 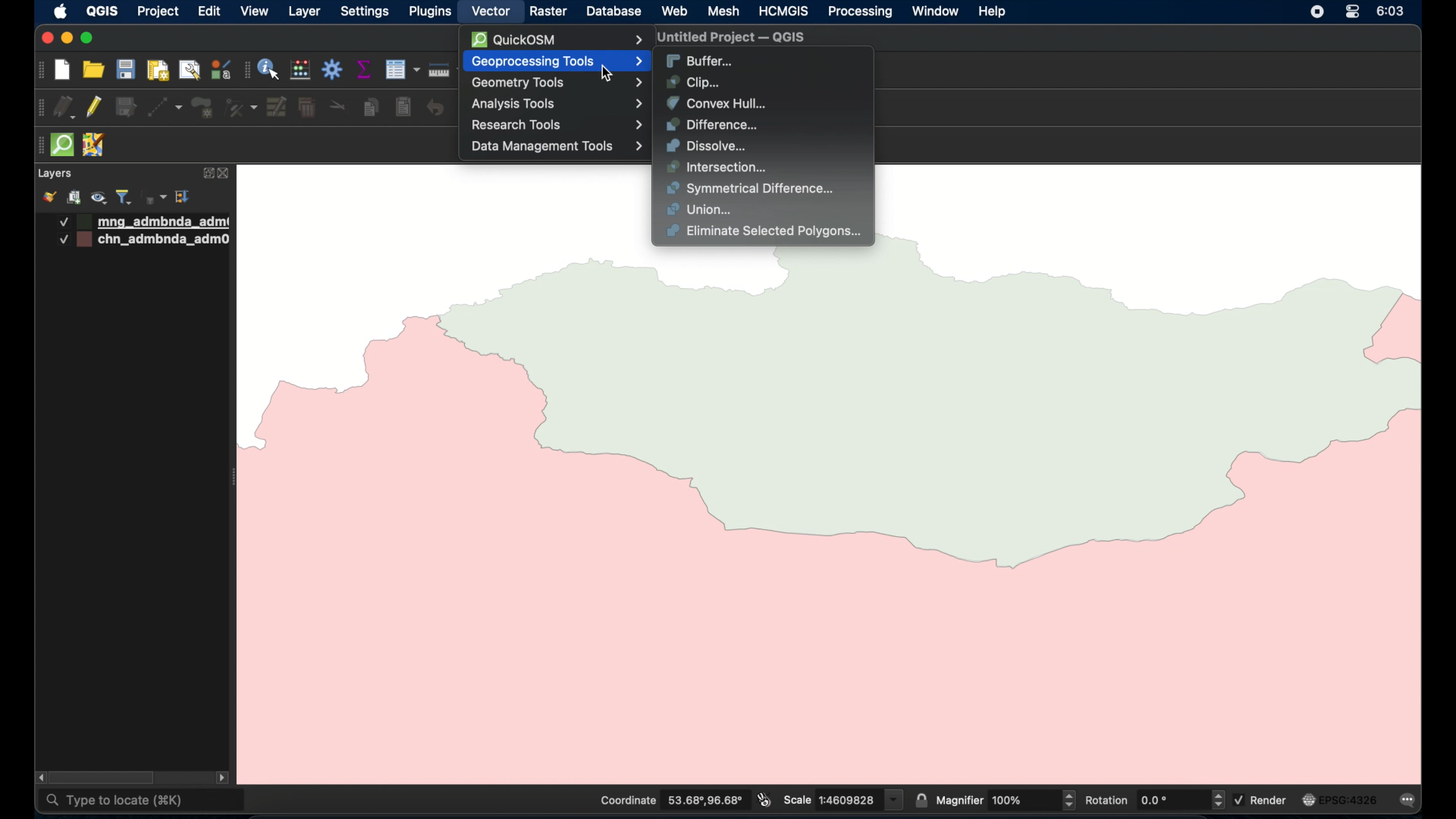 What do you see at coordinates (155, 197) in the screenshot?
I see `filter legend by expression` at bounding box center [155, 197].